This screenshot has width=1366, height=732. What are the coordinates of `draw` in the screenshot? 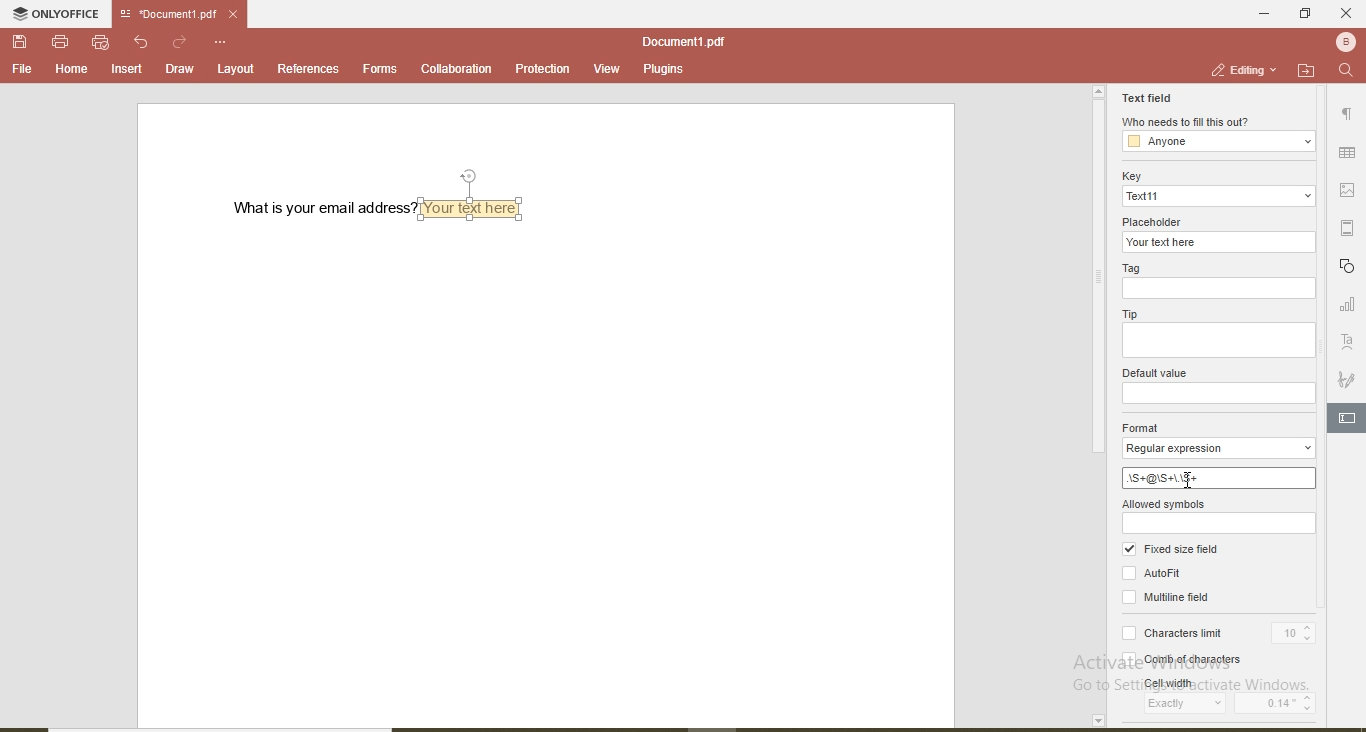 It's located at (178, 68).